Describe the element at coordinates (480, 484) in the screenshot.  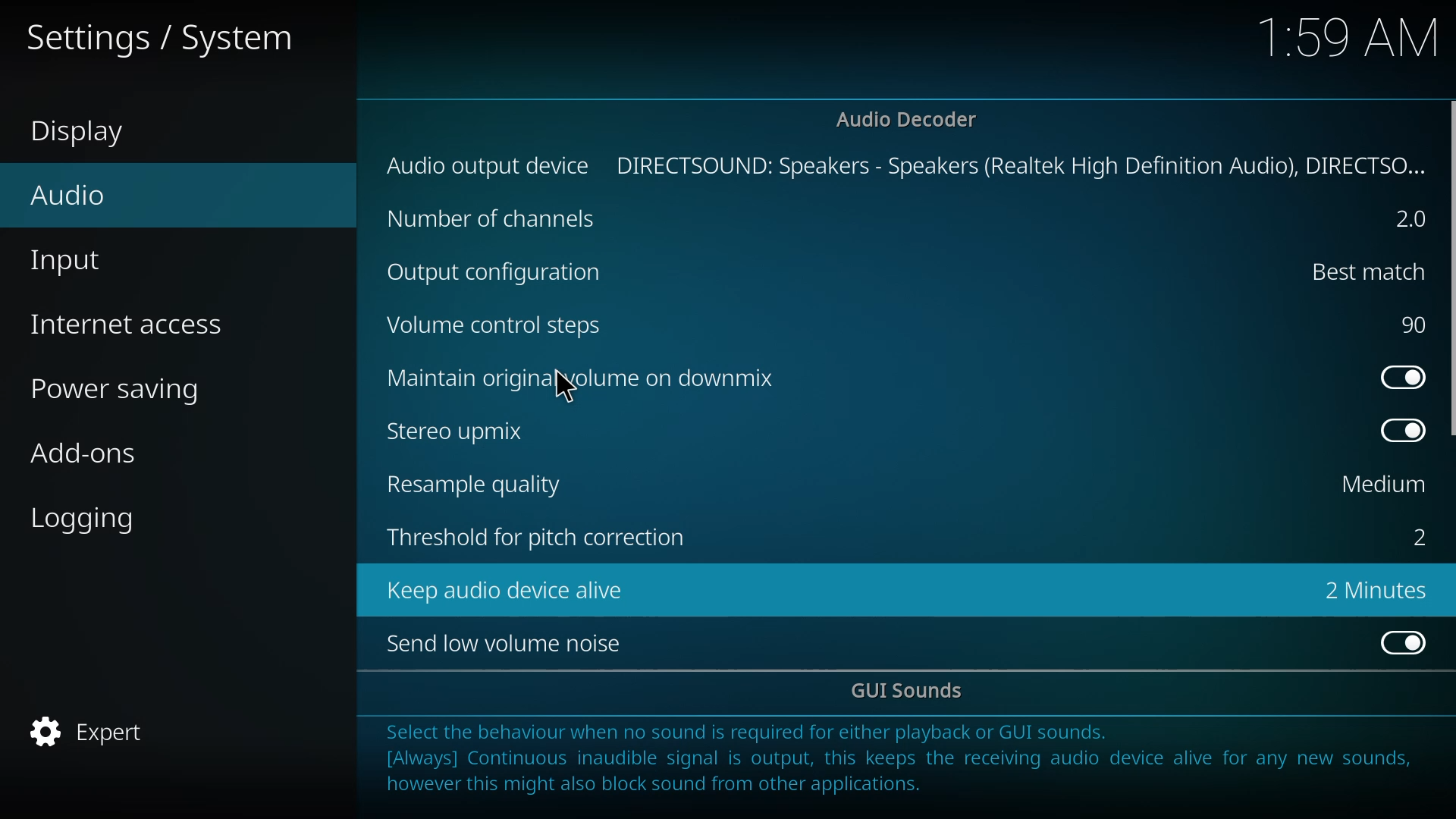
I see `resample quality` at that location.